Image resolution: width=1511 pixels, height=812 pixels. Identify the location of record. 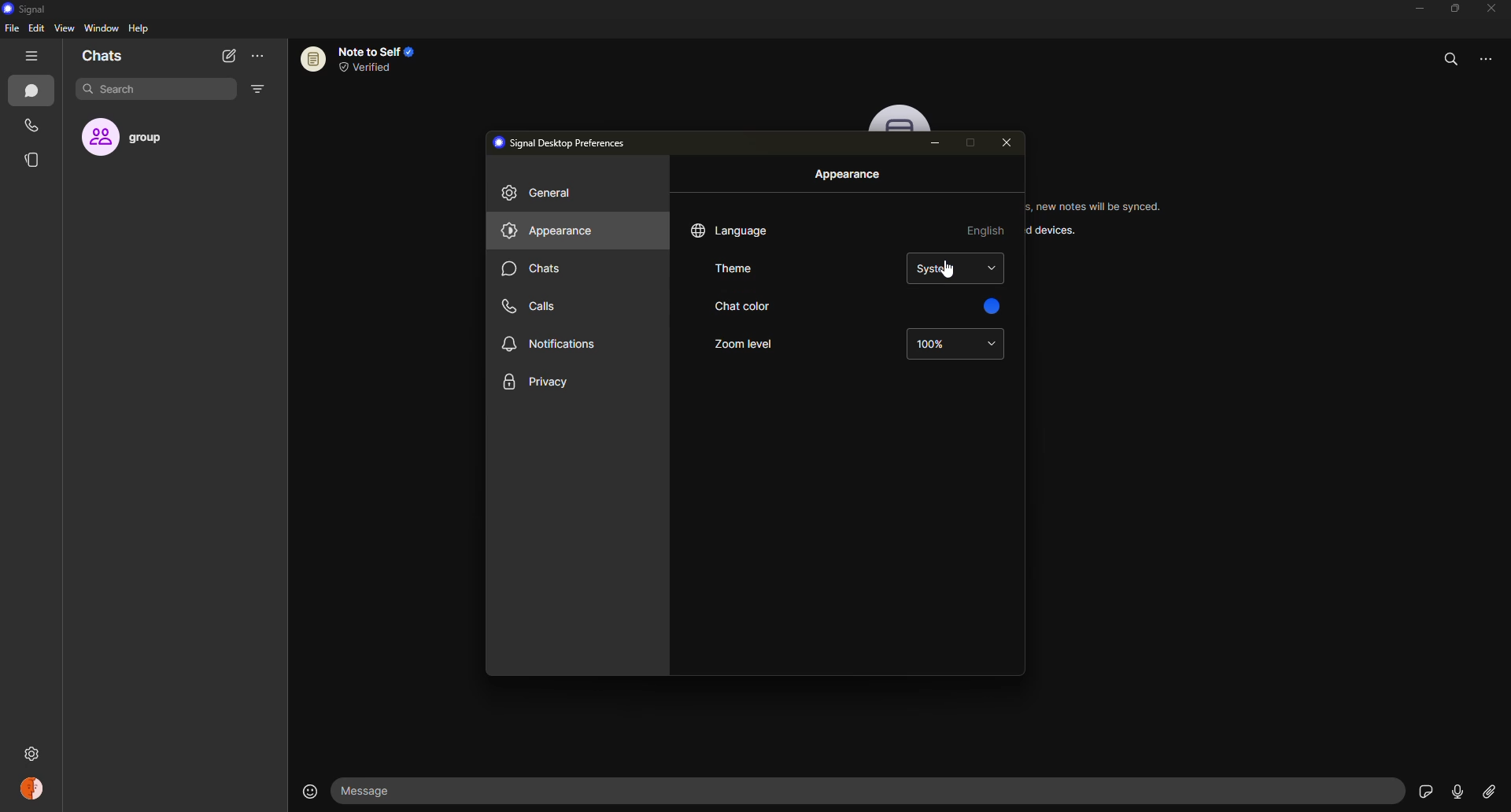
(1452, 791).